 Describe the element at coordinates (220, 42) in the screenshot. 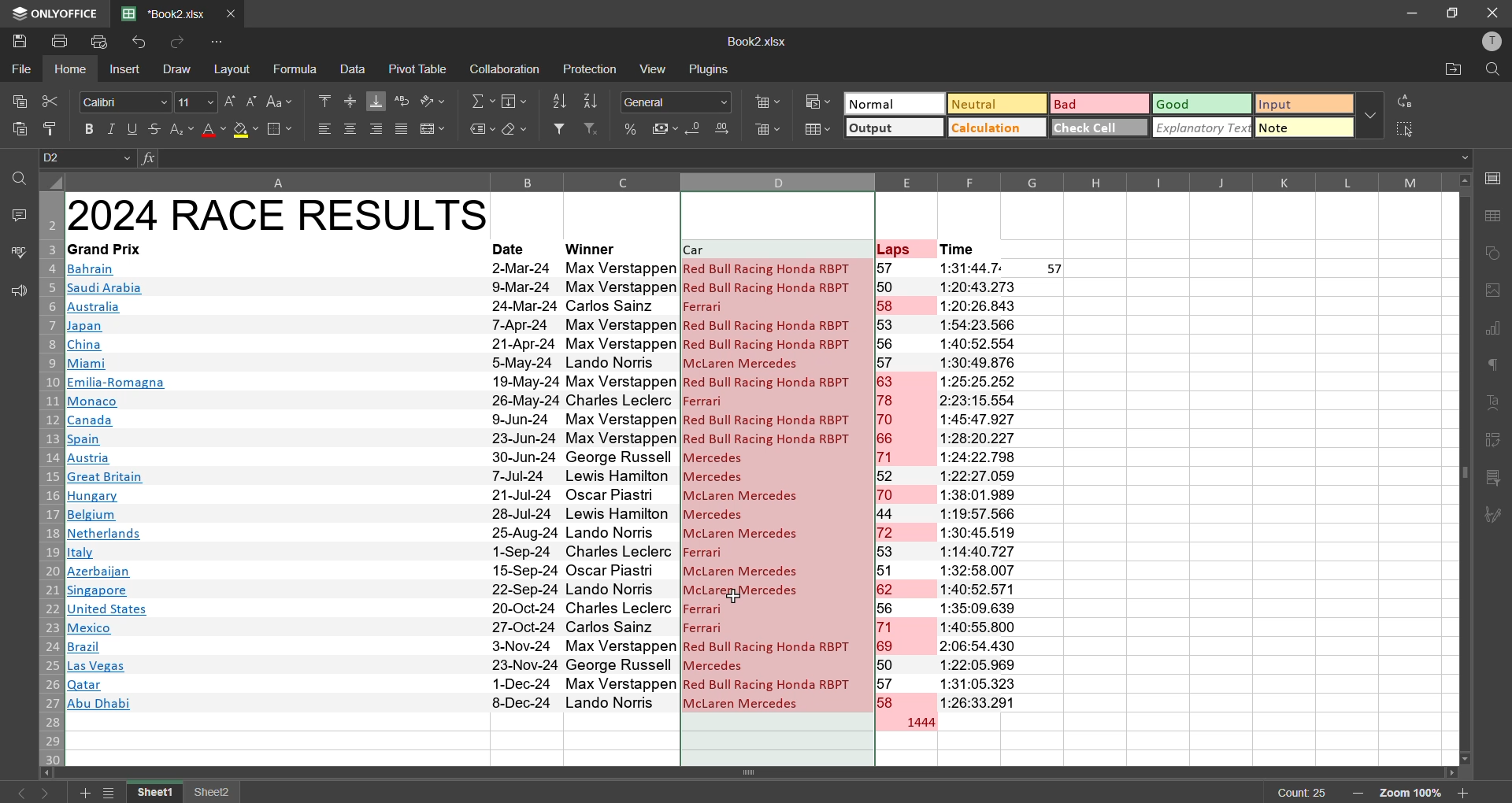

I see `customize quick access toolbar` at that location.